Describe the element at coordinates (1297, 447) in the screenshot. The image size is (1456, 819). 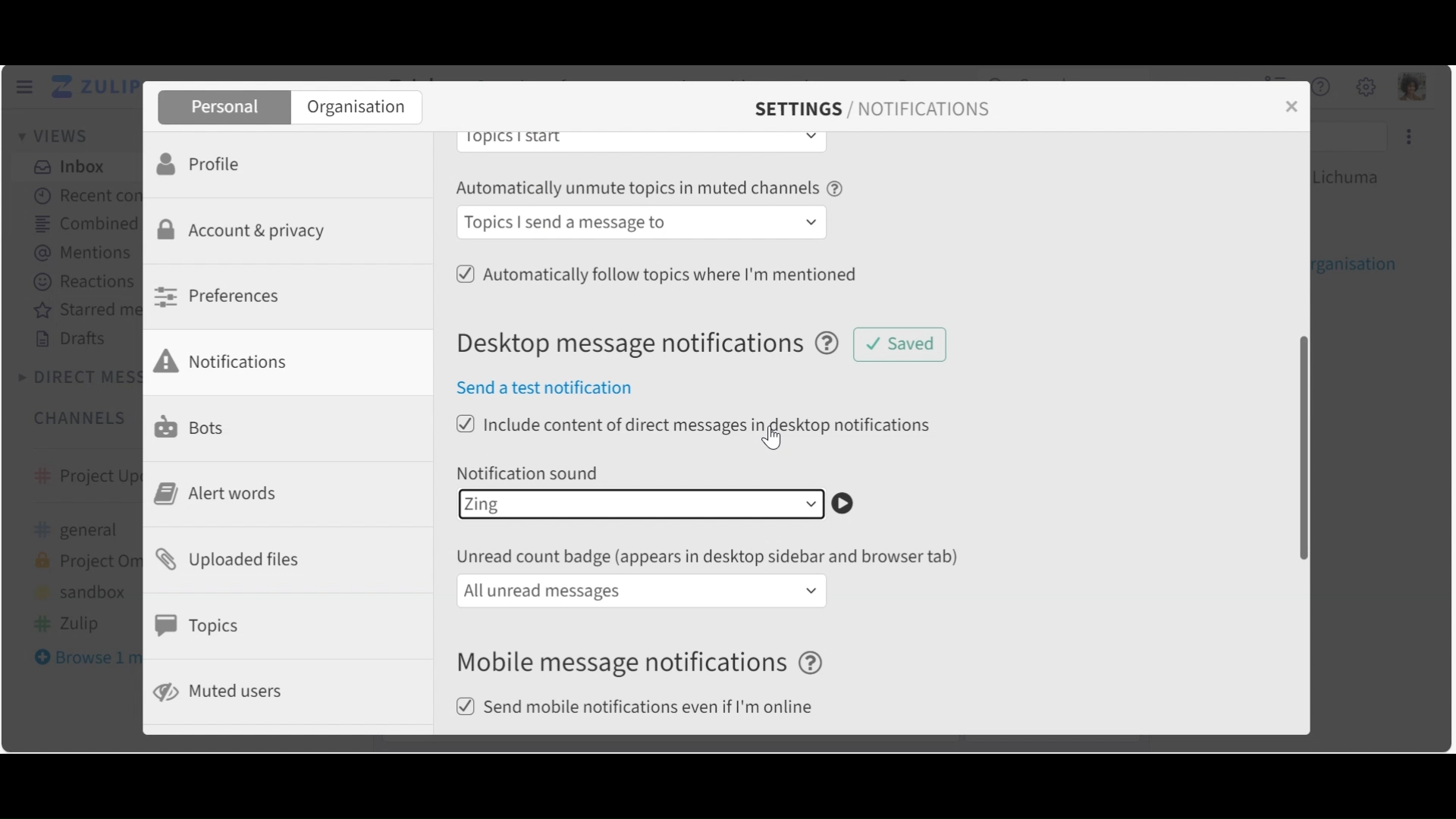
I see `vertical scroll bar` at that location.